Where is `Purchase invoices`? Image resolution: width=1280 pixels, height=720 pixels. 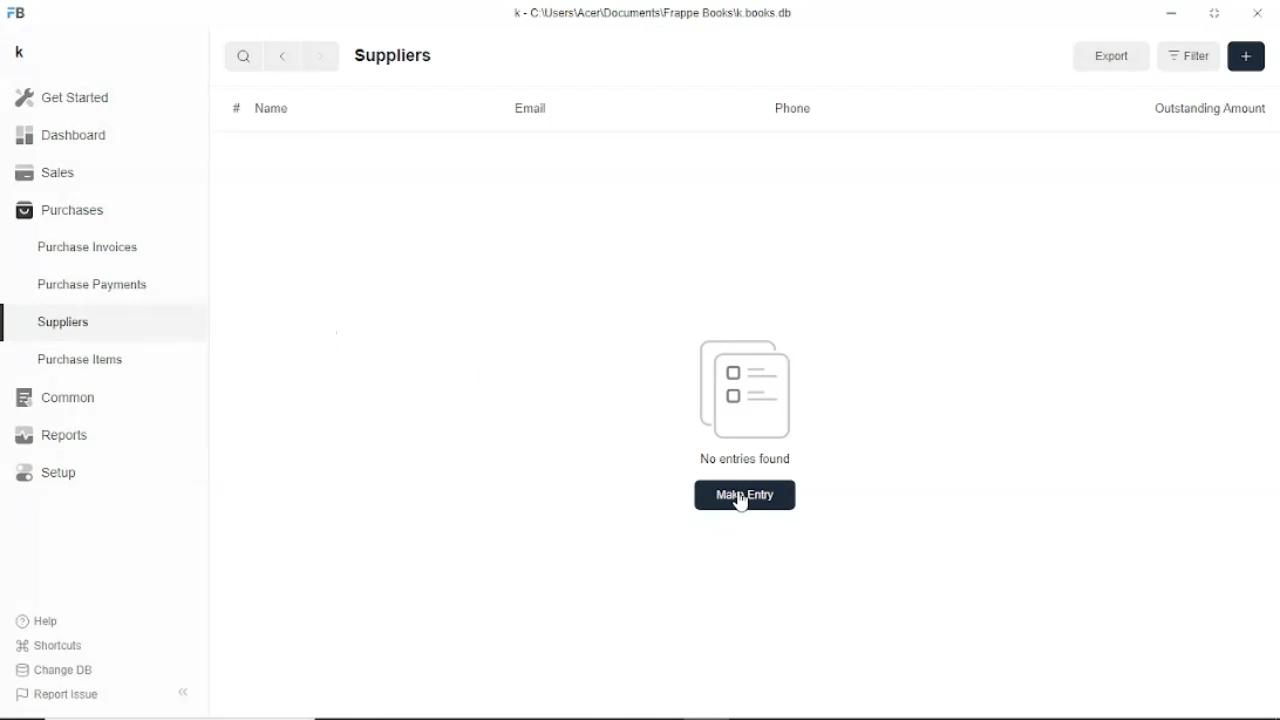 Purchase invoices is located at coordinates (87, 245).